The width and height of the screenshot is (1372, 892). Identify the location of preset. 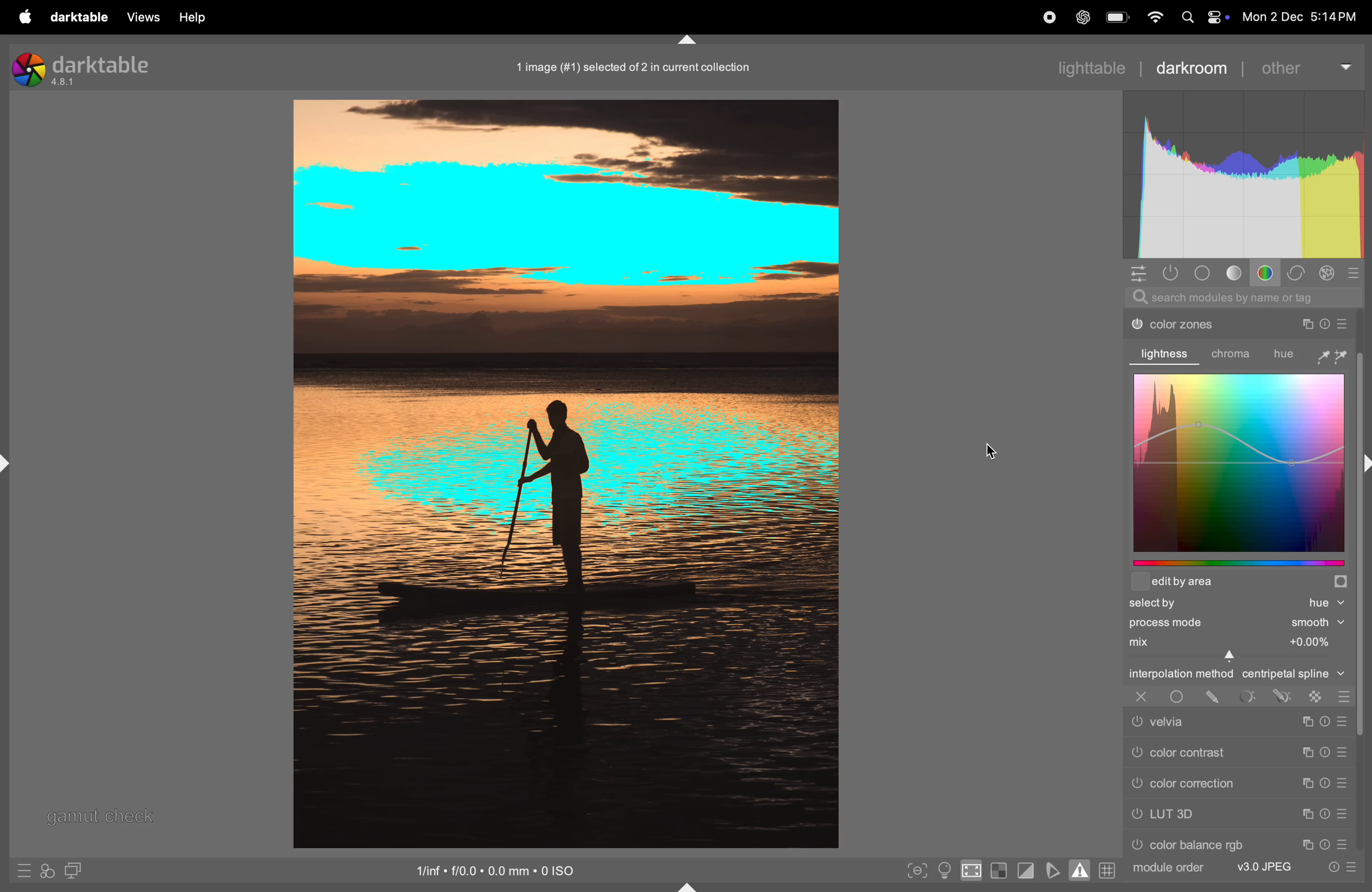
(1342, 843).